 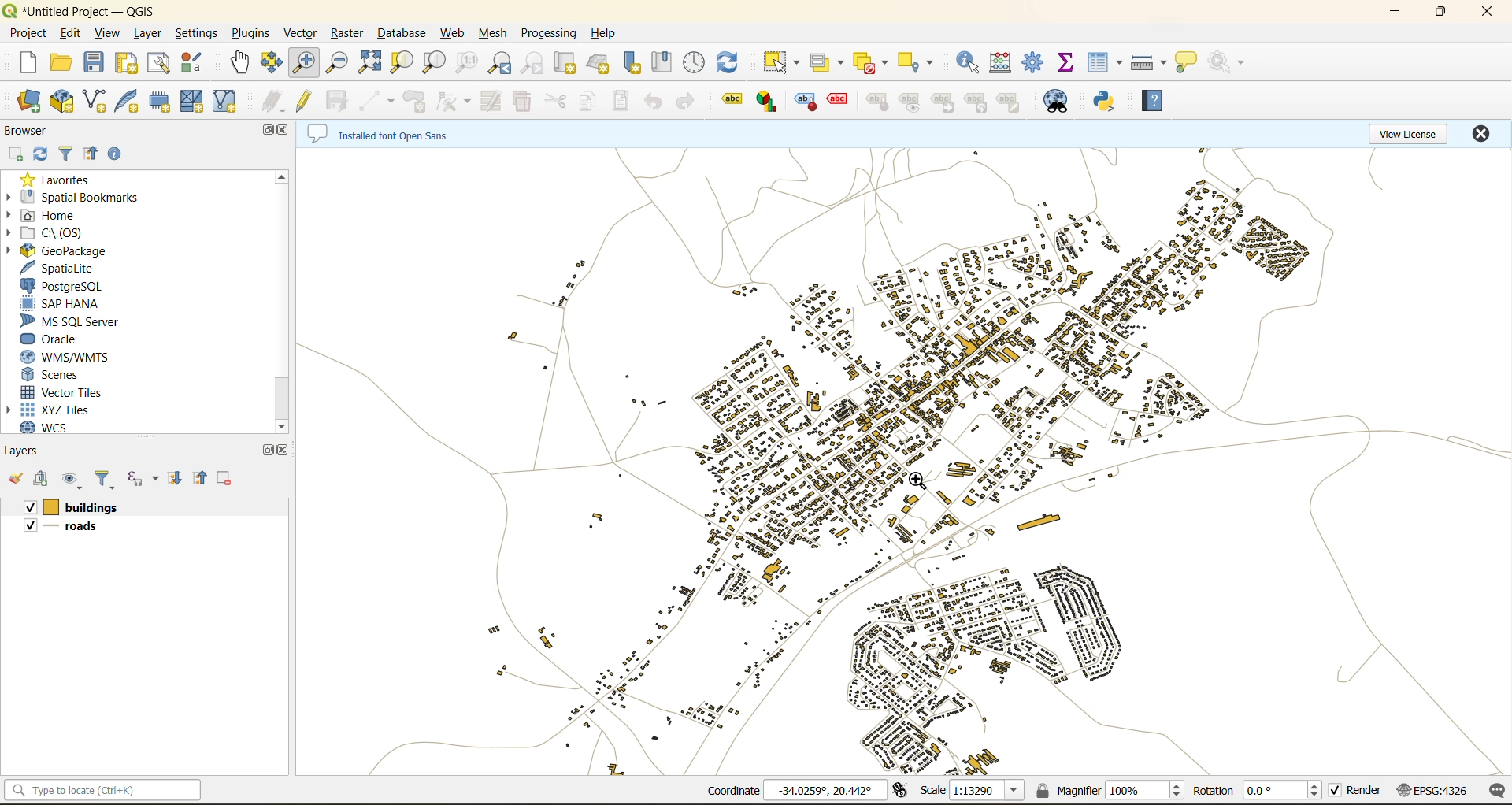 What do you see at coordinates (65, 154) in the screenshot?
I see `filter` at bounding box center [65, 154].